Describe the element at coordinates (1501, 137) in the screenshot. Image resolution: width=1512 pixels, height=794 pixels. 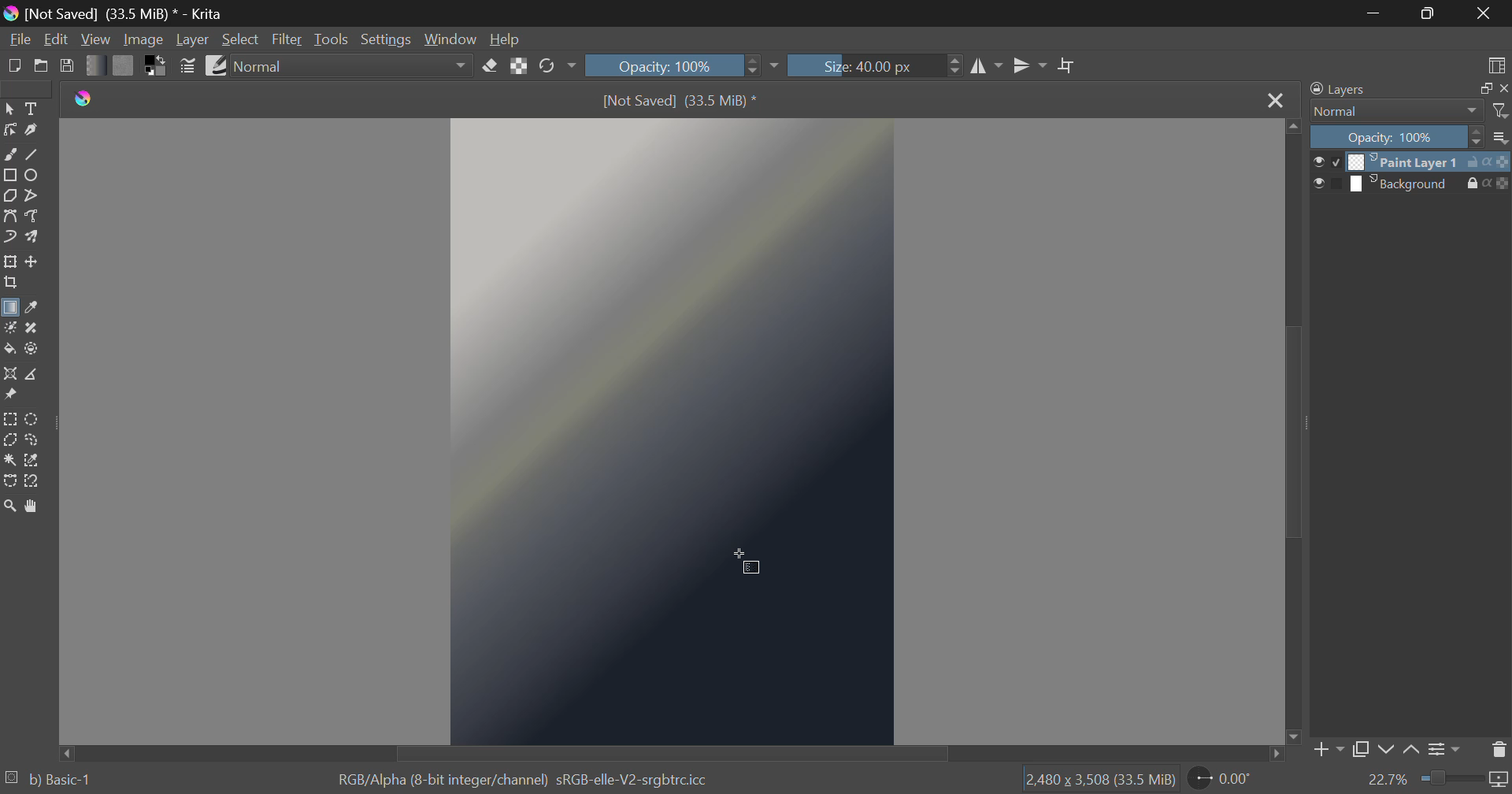
I see `more options` at that location.